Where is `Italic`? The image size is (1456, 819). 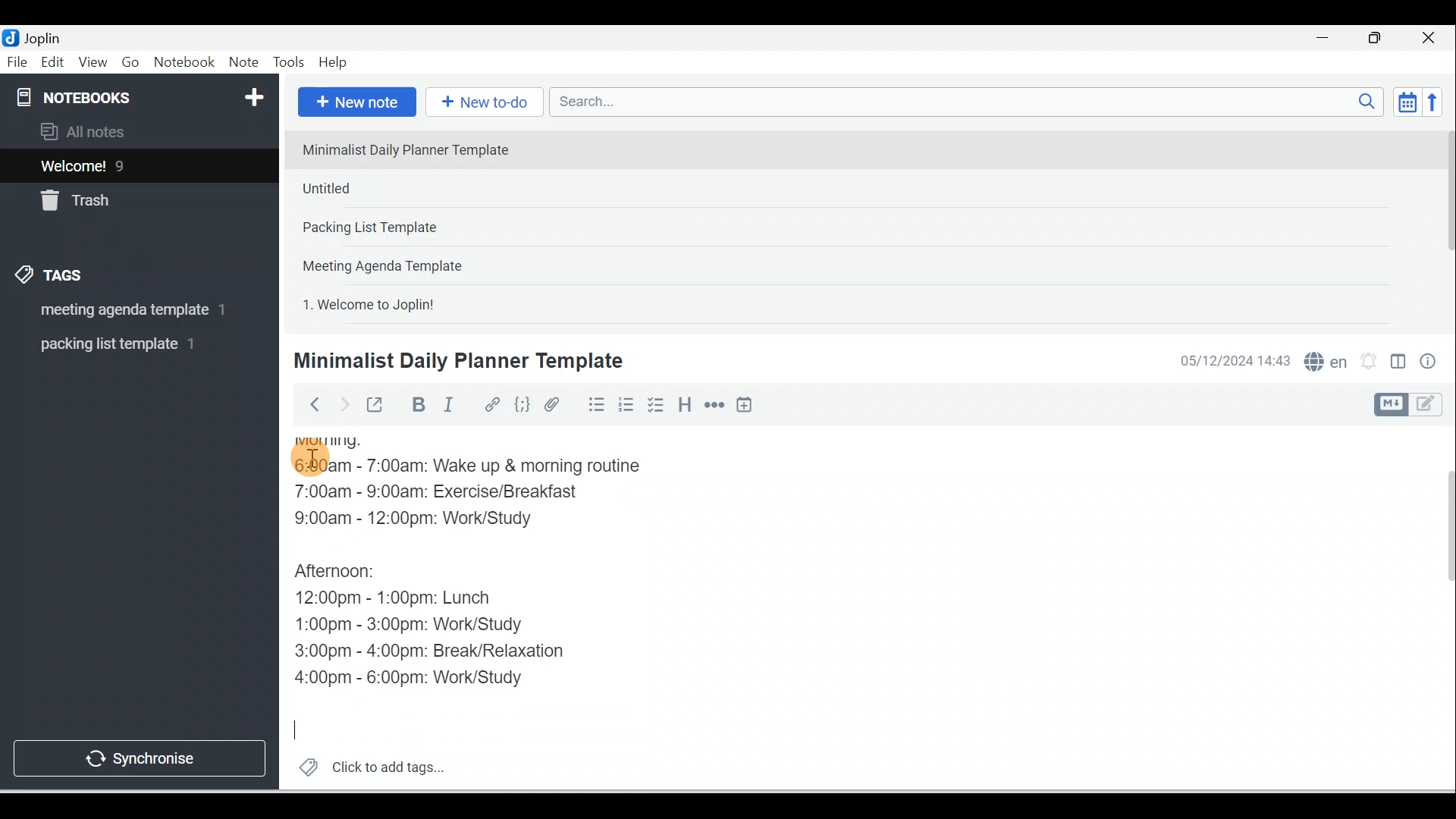
Italic is located at coordinates (451, 407).